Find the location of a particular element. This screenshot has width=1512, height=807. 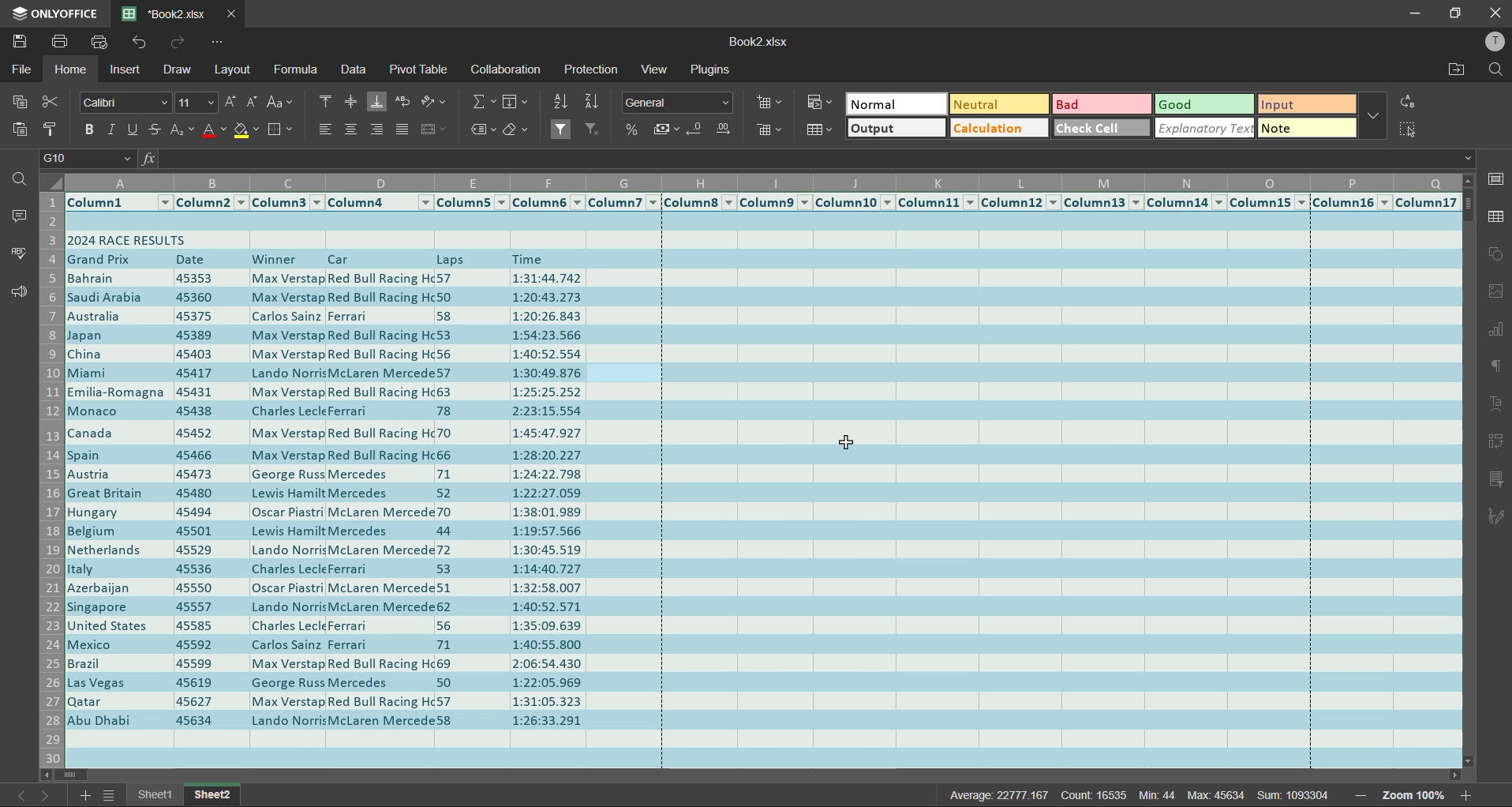

zoom in is located at coordinates (1465, 794).